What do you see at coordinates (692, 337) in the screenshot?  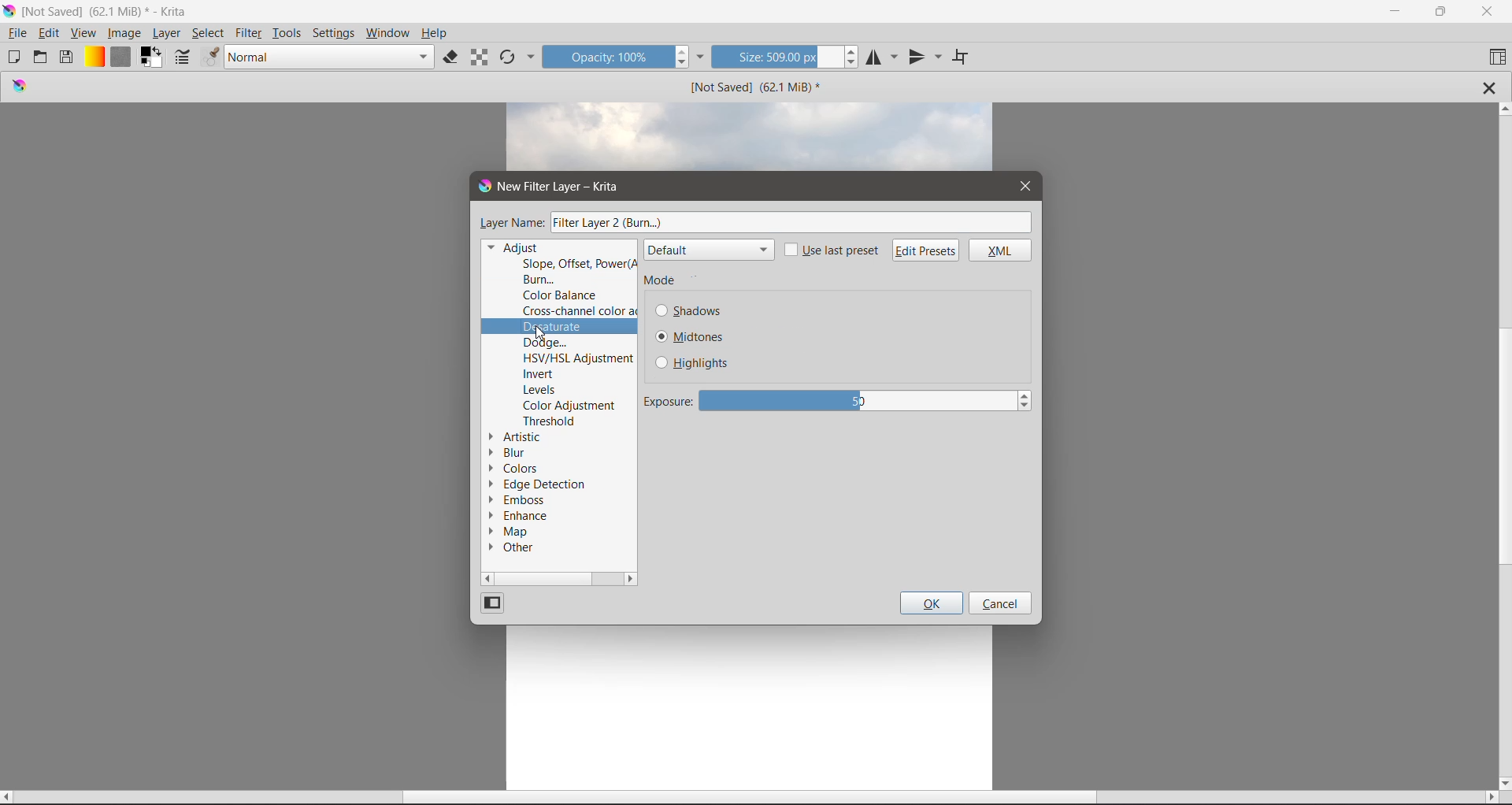 I see `Midtones` at bounding box center [692, 337].